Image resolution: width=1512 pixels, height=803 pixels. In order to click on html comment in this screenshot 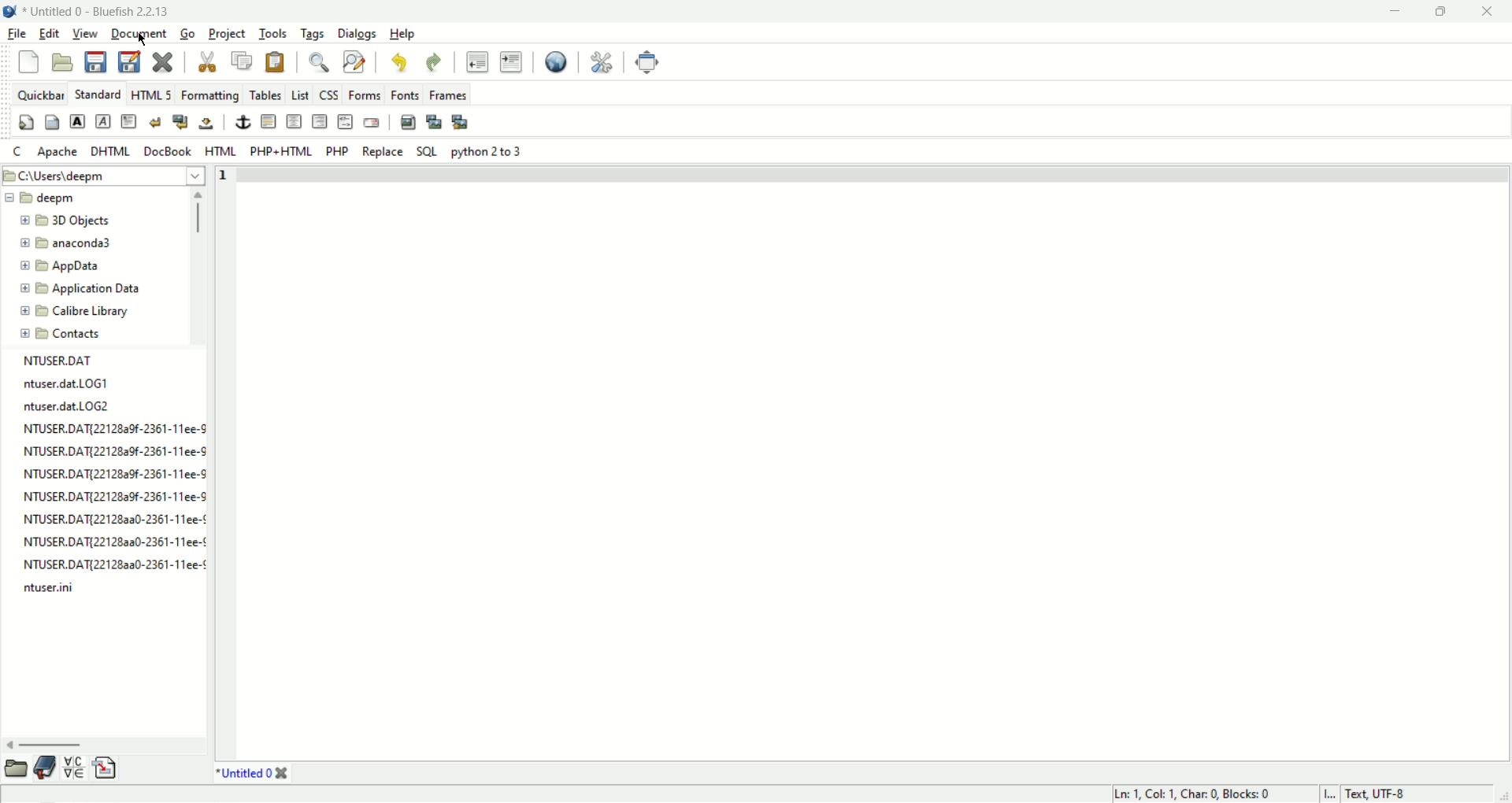, I will do `click(345, 121)`.